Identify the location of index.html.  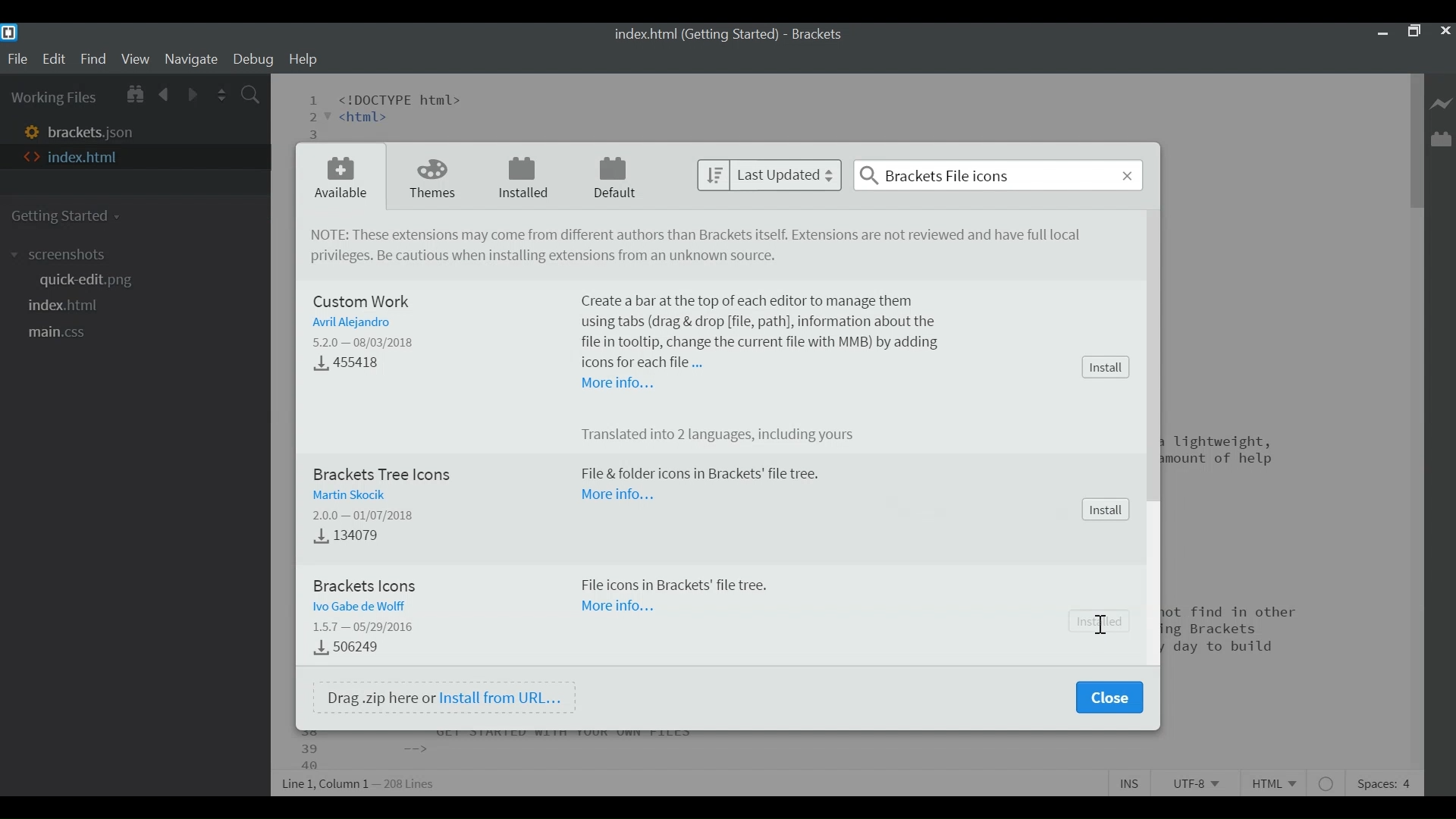
(66, 306).